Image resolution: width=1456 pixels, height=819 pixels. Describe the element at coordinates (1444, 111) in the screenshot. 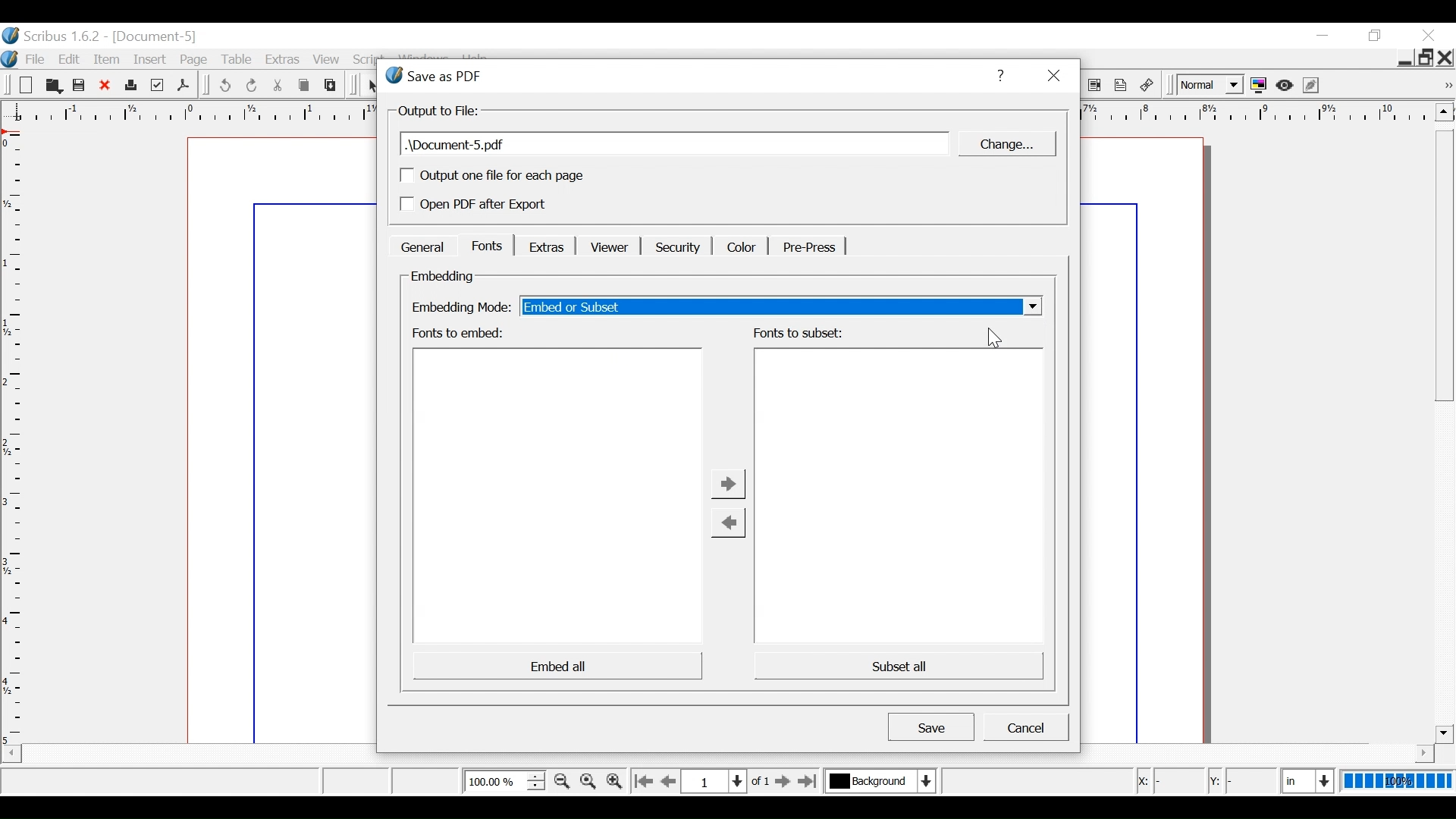

I see `Scroll up` at that location.